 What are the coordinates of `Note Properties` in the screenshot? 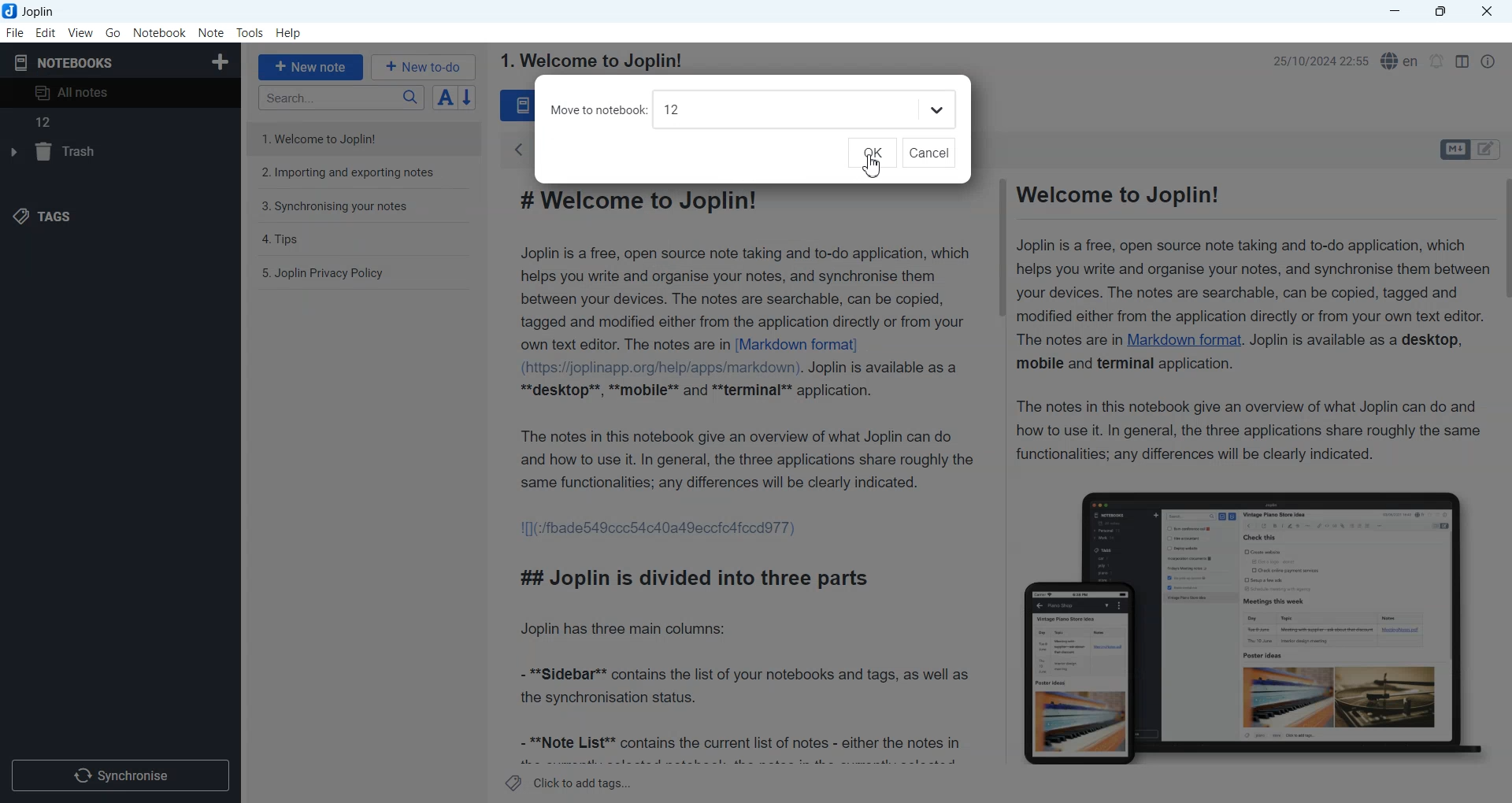 It's located at (1488, 61).